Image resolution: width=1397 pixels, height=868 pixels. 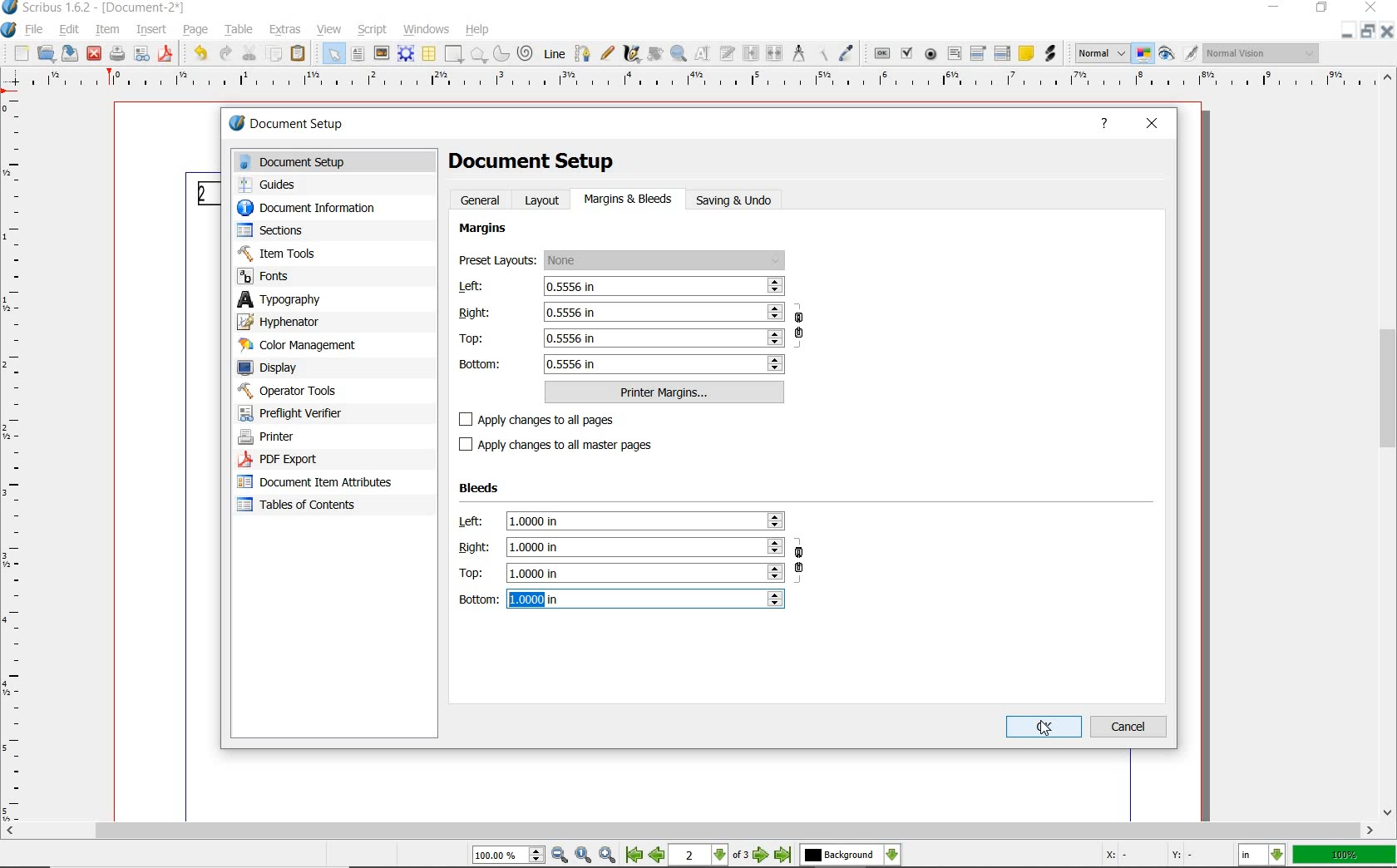 I want to click on Top: 1.0000 in, so click(x=621, y=572).